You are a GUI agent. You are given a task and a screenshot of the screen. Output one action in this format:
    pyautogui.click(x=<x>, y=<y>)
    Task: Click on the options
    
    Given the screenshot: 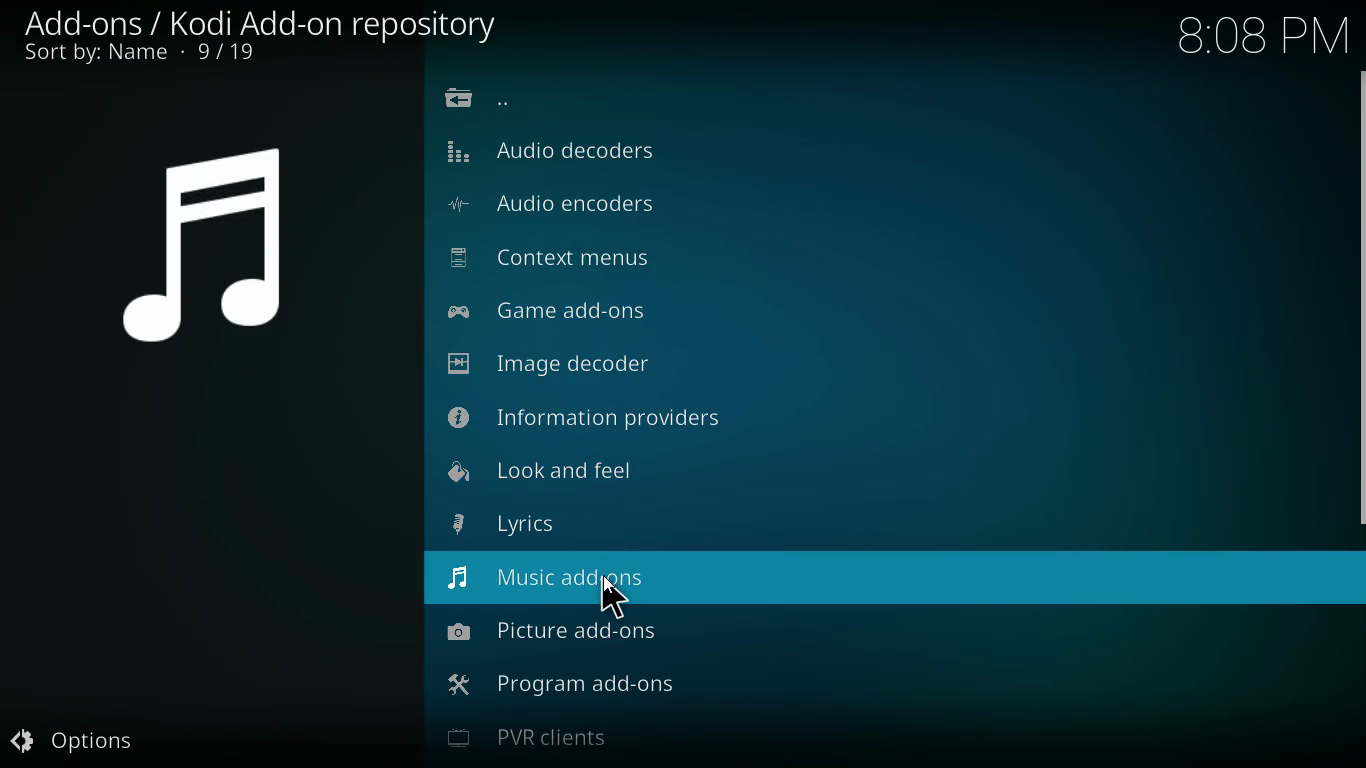 What is the action you would take?
    pyautogui.click(x=81, y=736)
    